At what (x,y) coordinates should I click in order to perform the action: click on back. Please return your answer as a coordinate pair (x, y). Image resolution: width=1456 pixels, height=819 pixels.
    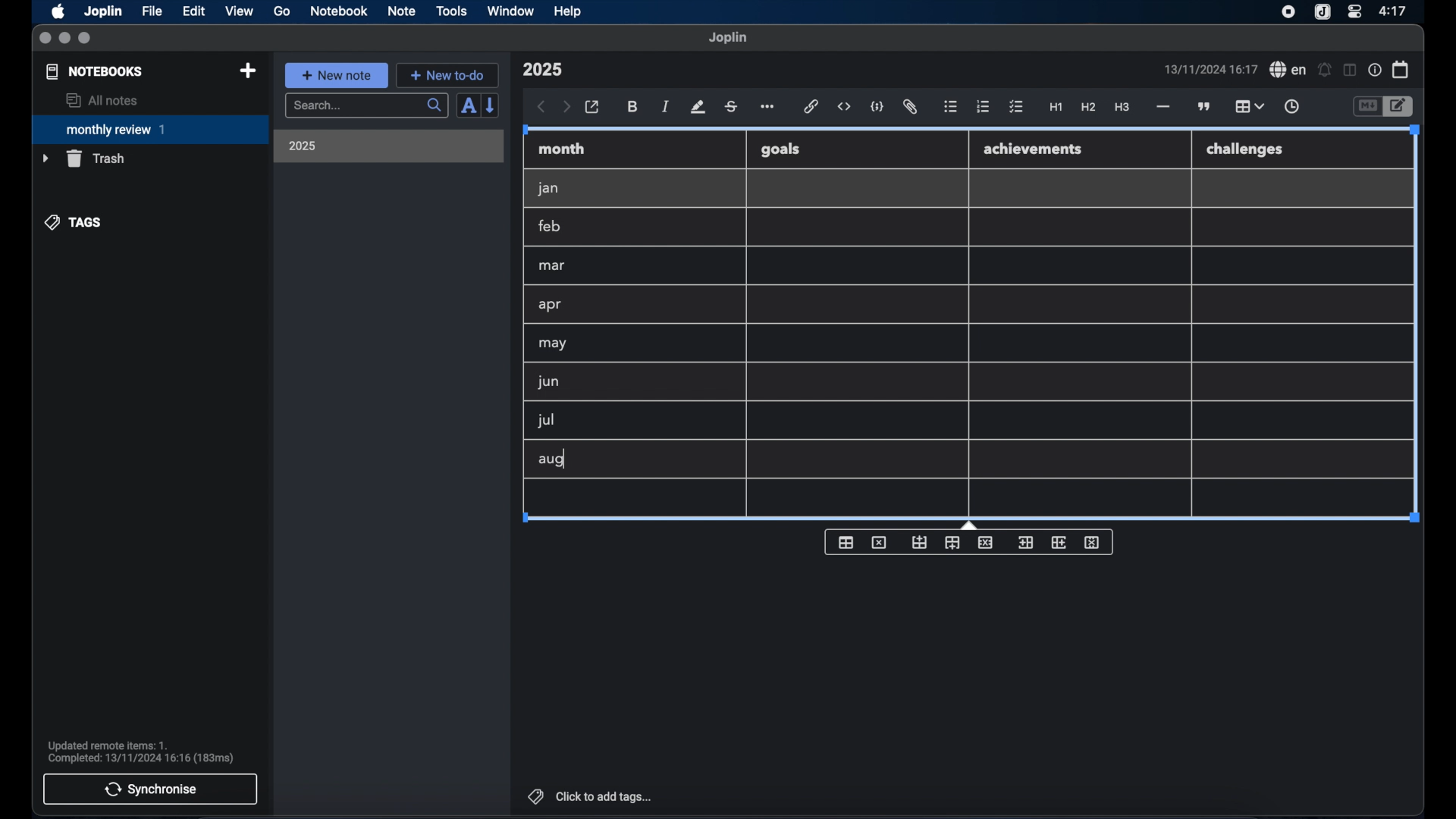
    Looking at the image, I should click on (541, 107).